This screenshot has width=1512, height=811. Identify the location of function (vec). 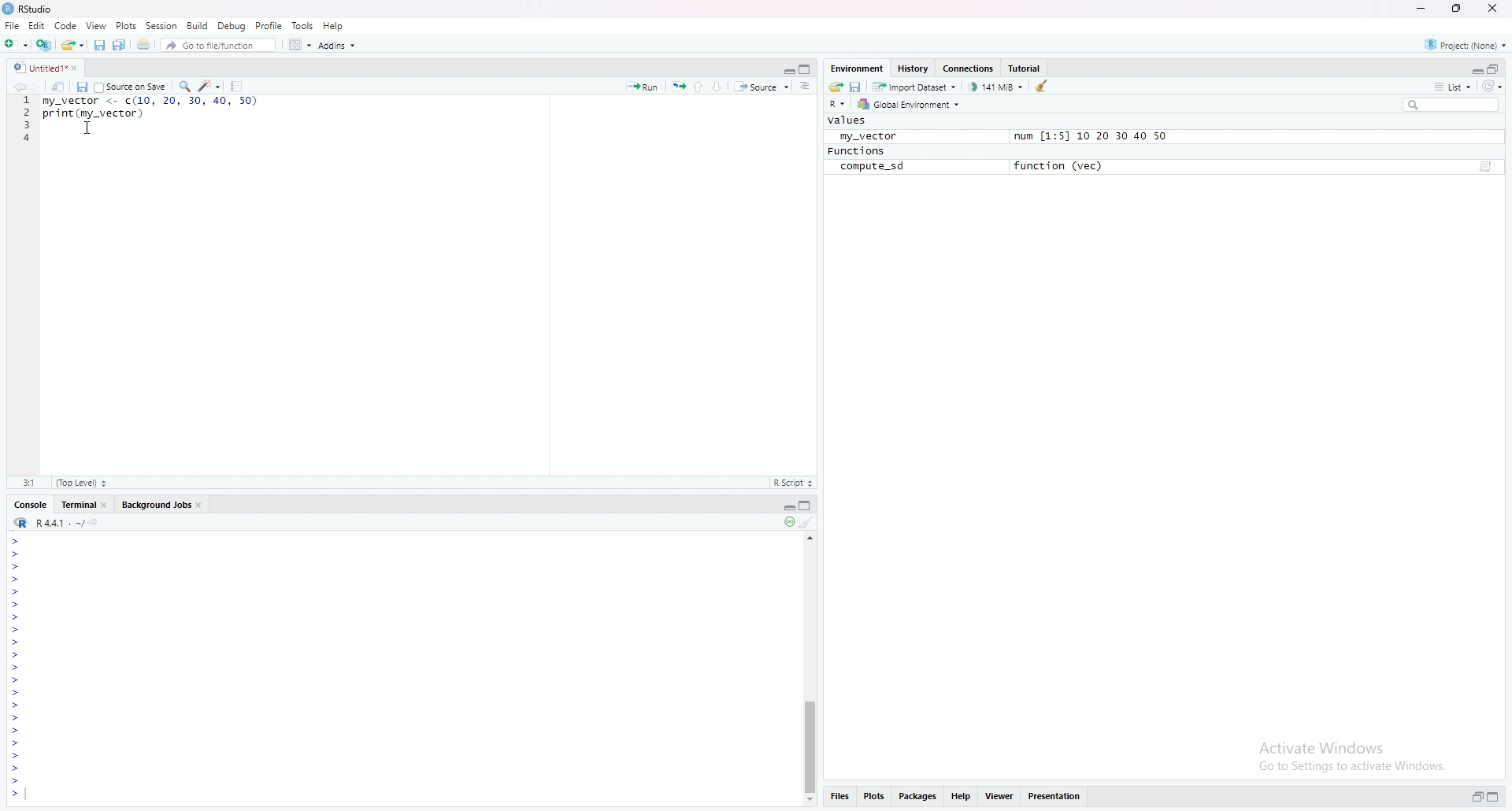
(1063, 165).